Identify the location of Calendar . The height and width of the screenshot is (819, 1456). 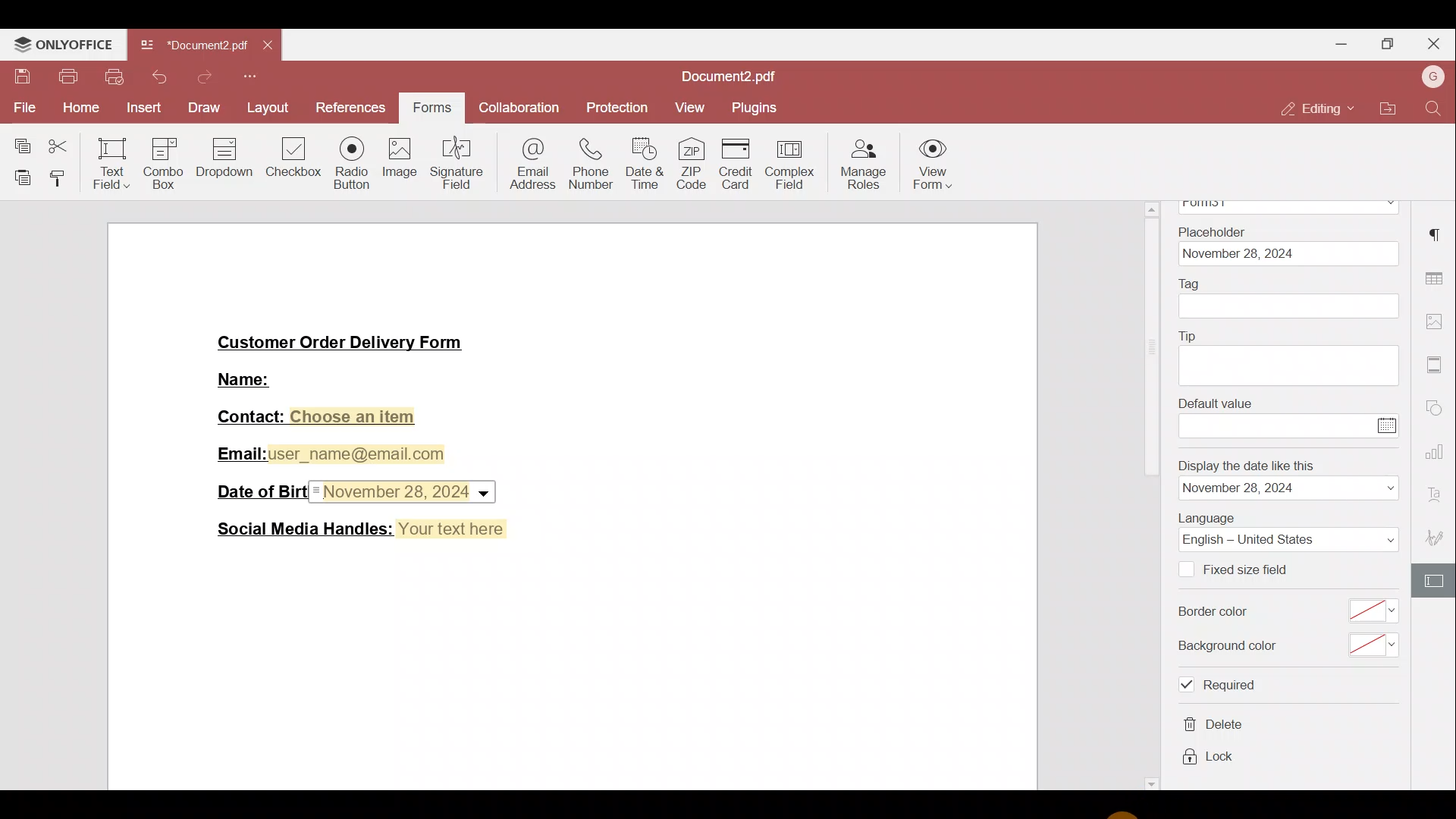
(1387, 425).